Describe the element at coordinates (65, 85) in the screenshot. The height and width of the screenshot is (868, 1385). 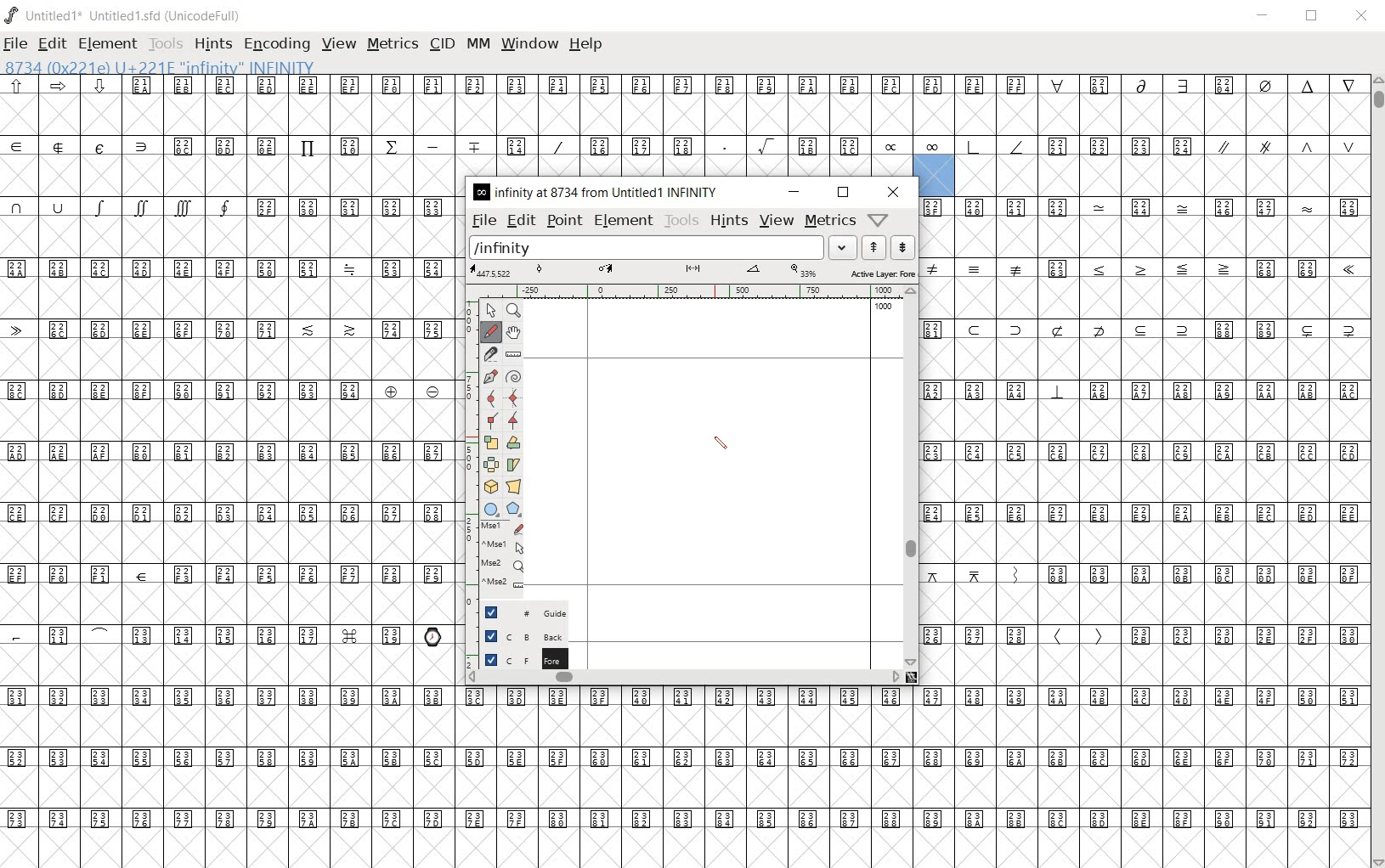
I see `sybols` at that location.